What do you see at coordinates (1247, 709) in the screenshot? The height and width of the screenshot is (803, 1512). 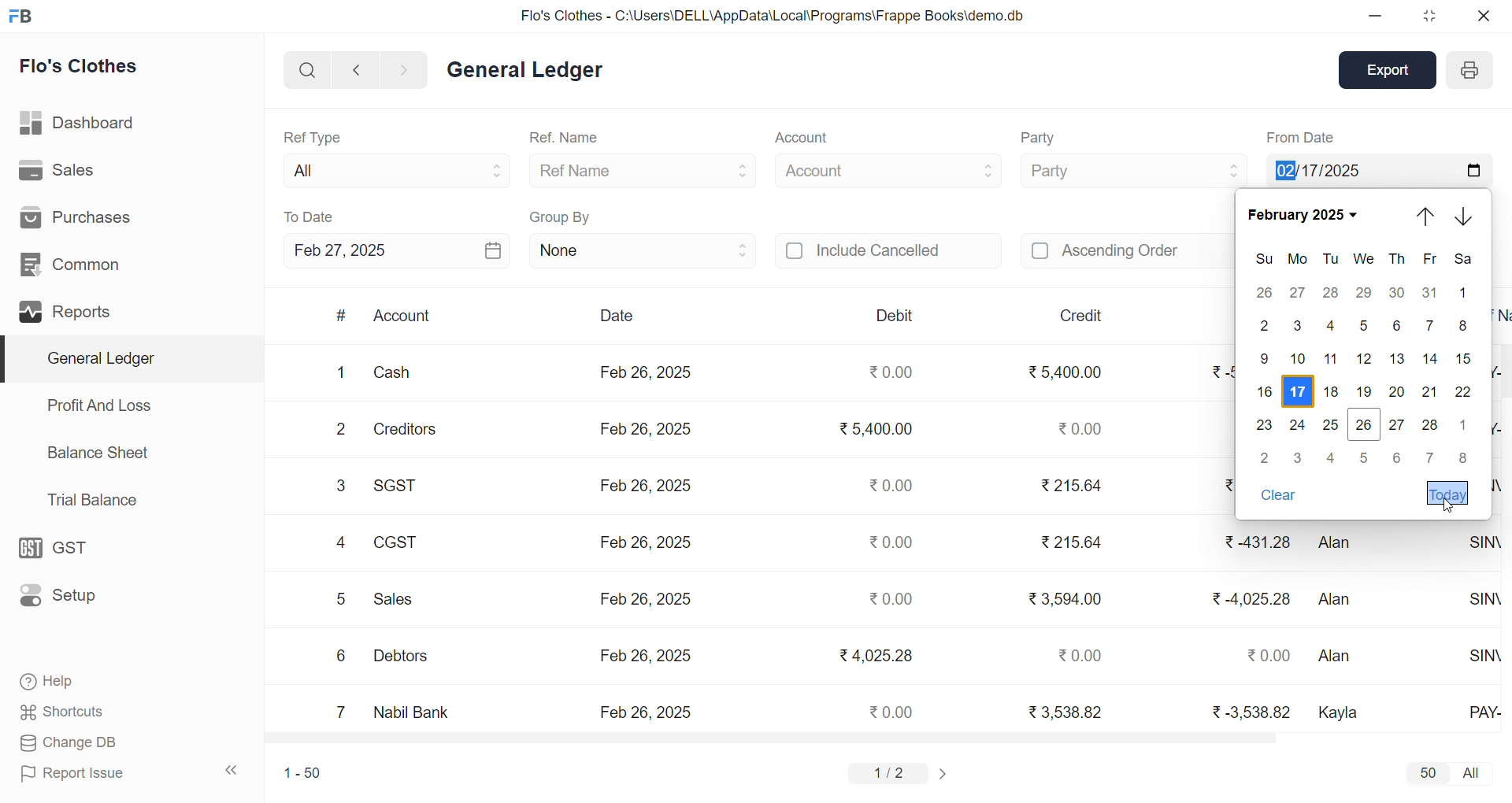 I see `₹ -3,538.82` at bounding box center [1247, 709].